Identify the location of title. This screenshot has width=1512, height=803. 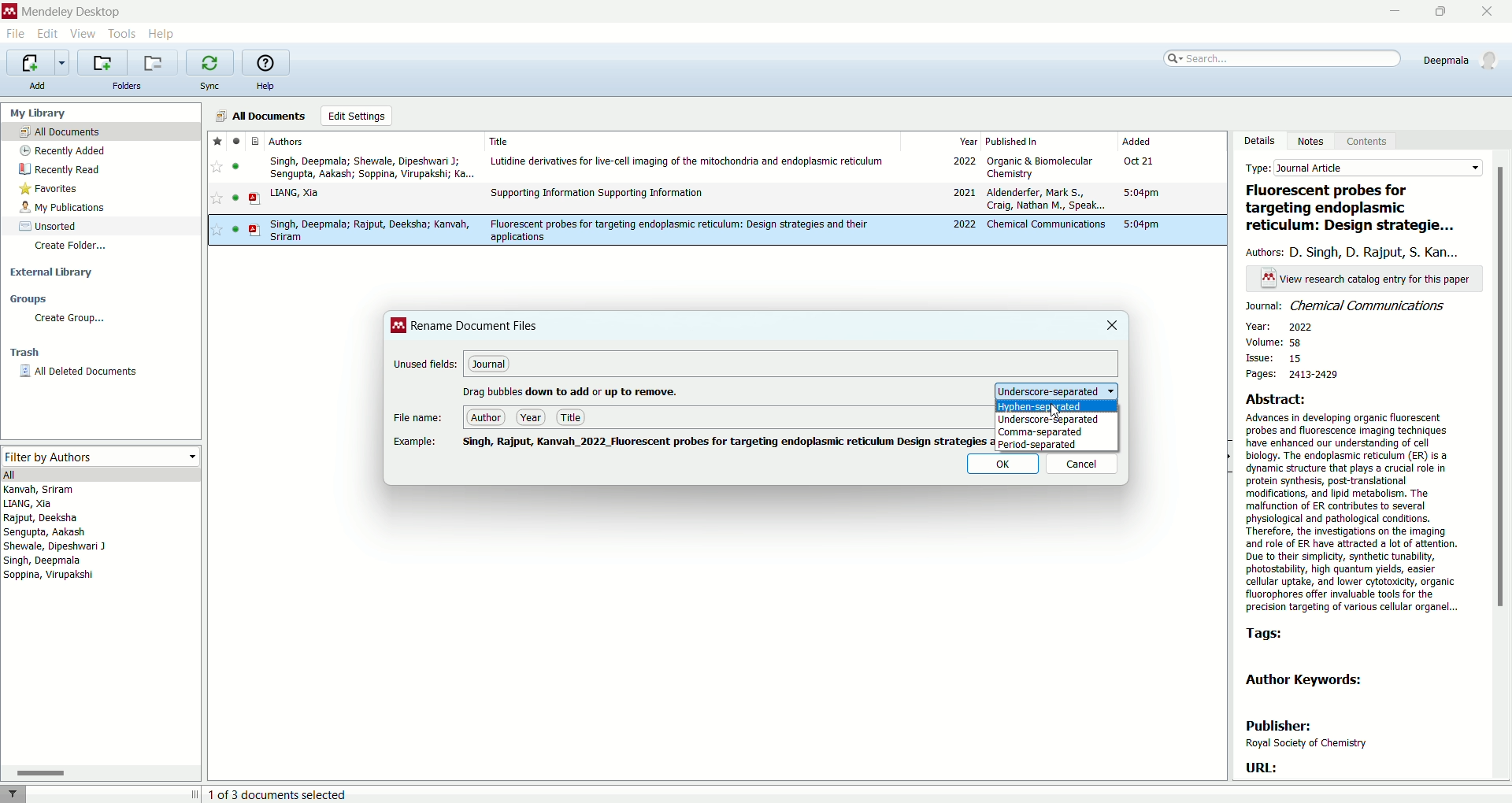
(1354, 209).